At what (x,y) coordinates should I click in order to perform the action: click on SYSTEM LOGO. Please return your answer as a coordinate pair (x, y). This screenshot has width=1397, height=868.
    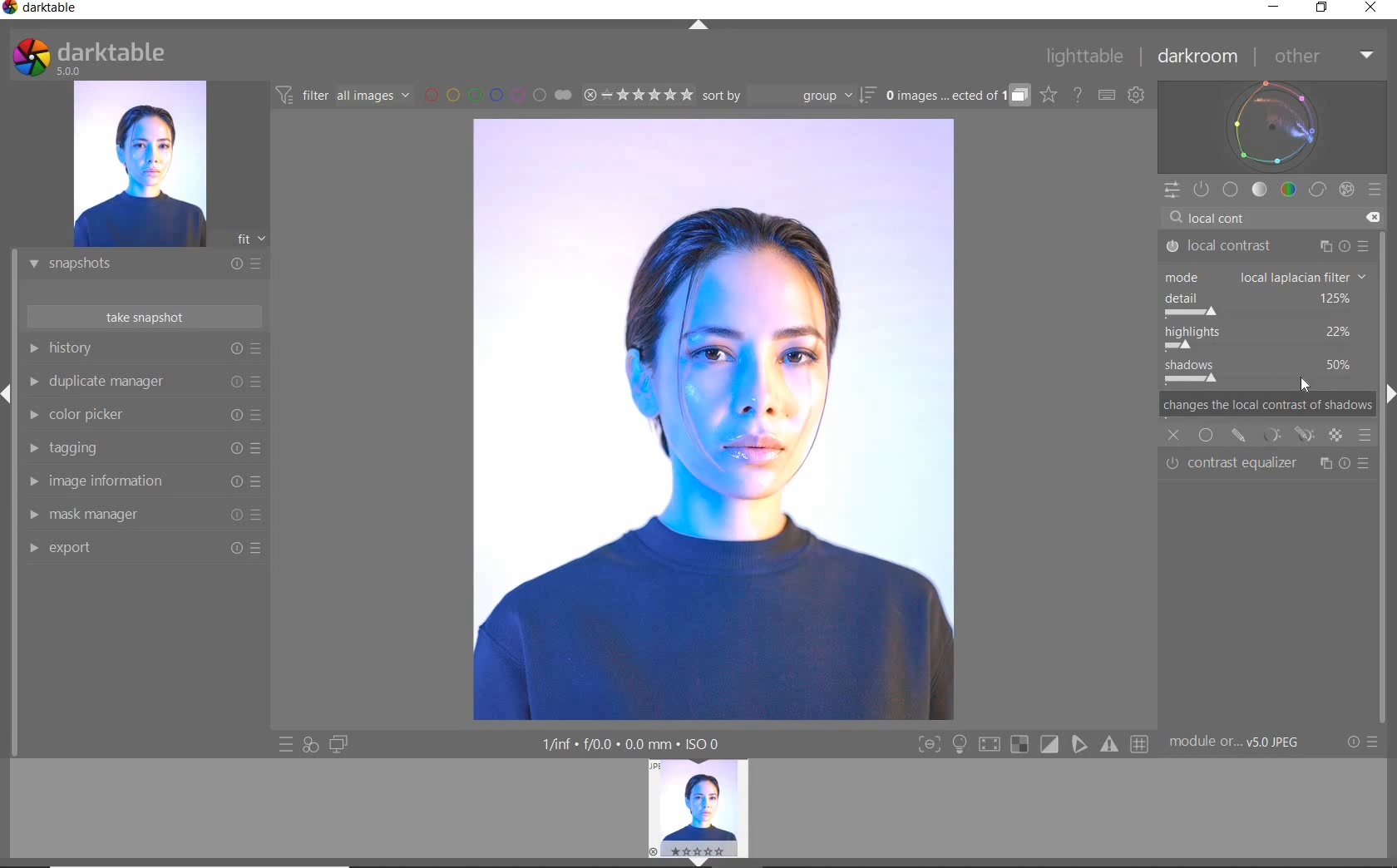
    Looking at the image, I should click on (88, 57).